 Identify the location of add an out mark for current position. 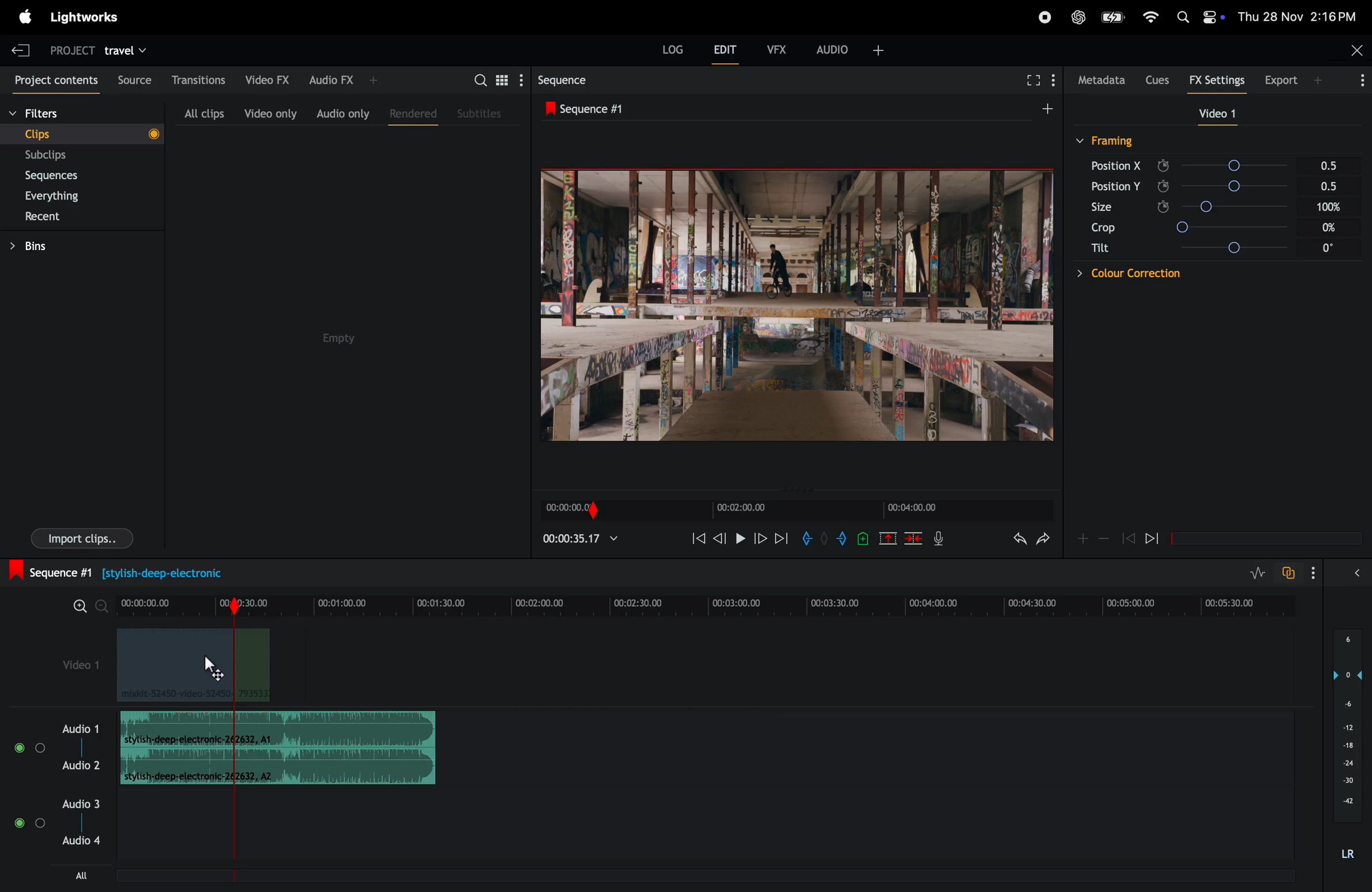
(844, 538).